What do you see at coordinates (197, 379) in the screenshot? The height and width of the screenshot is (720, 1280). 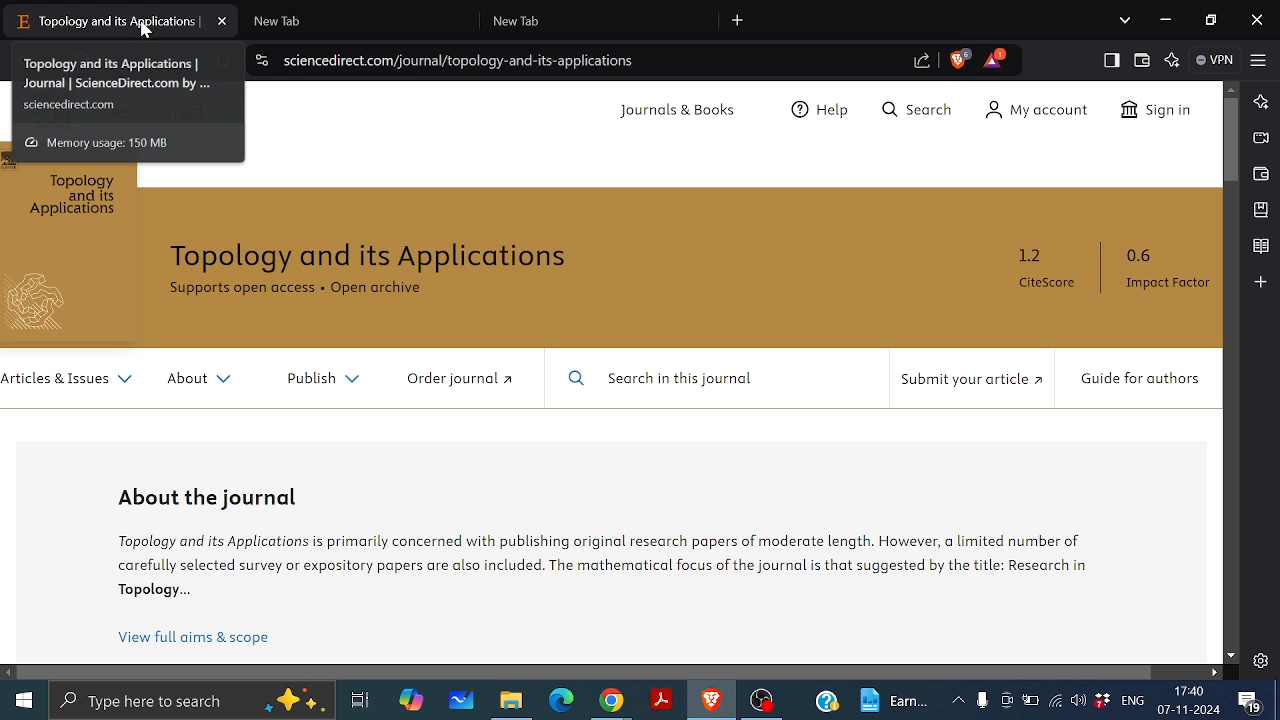 I see `About` at bounding box center [197, 379].